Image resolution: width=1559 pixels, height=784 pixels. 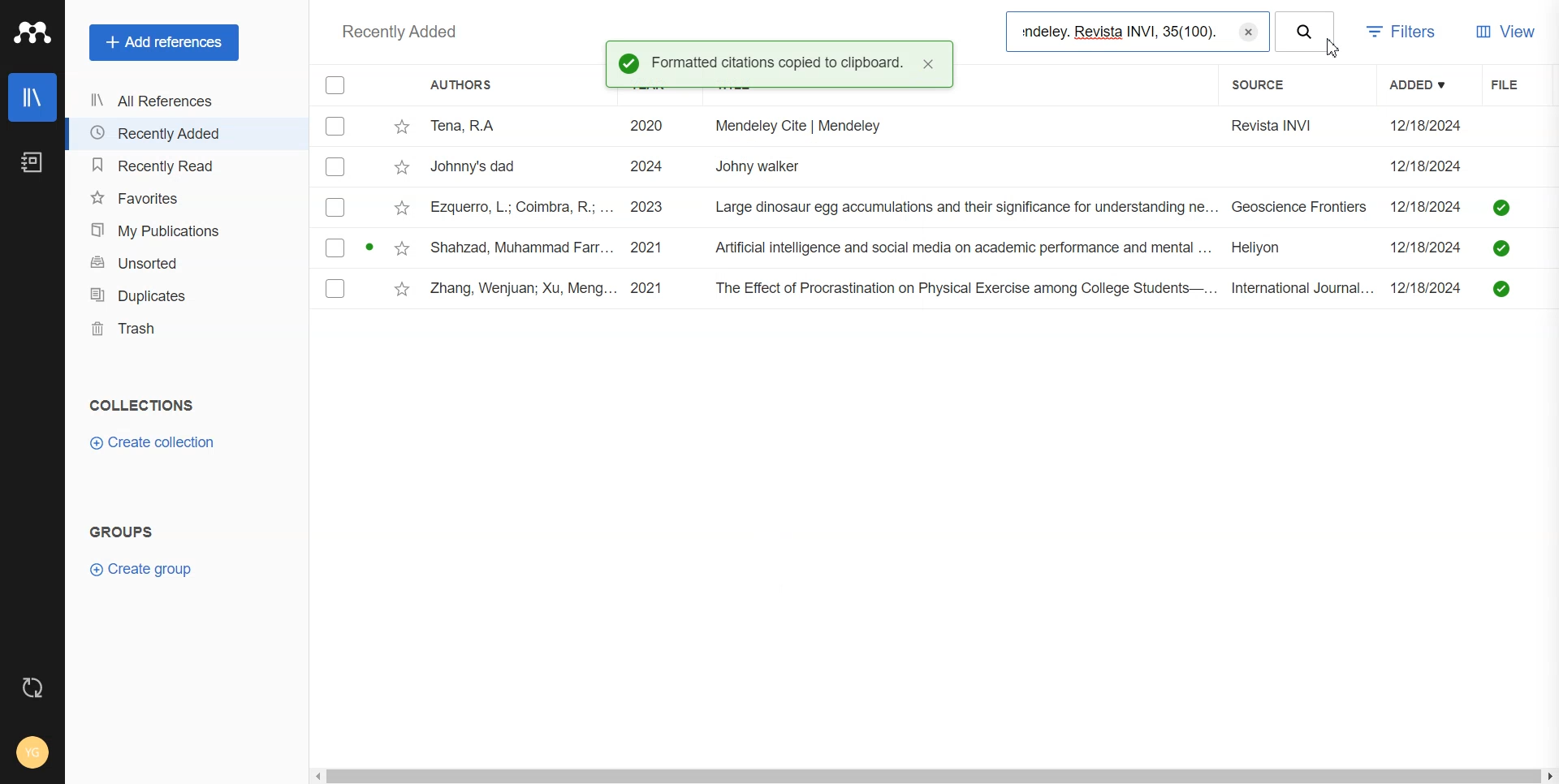 What do you see at coordinates (143, 405) in the screenshot?
I see `COLLECTIONS` at bounding box center [143, 405].